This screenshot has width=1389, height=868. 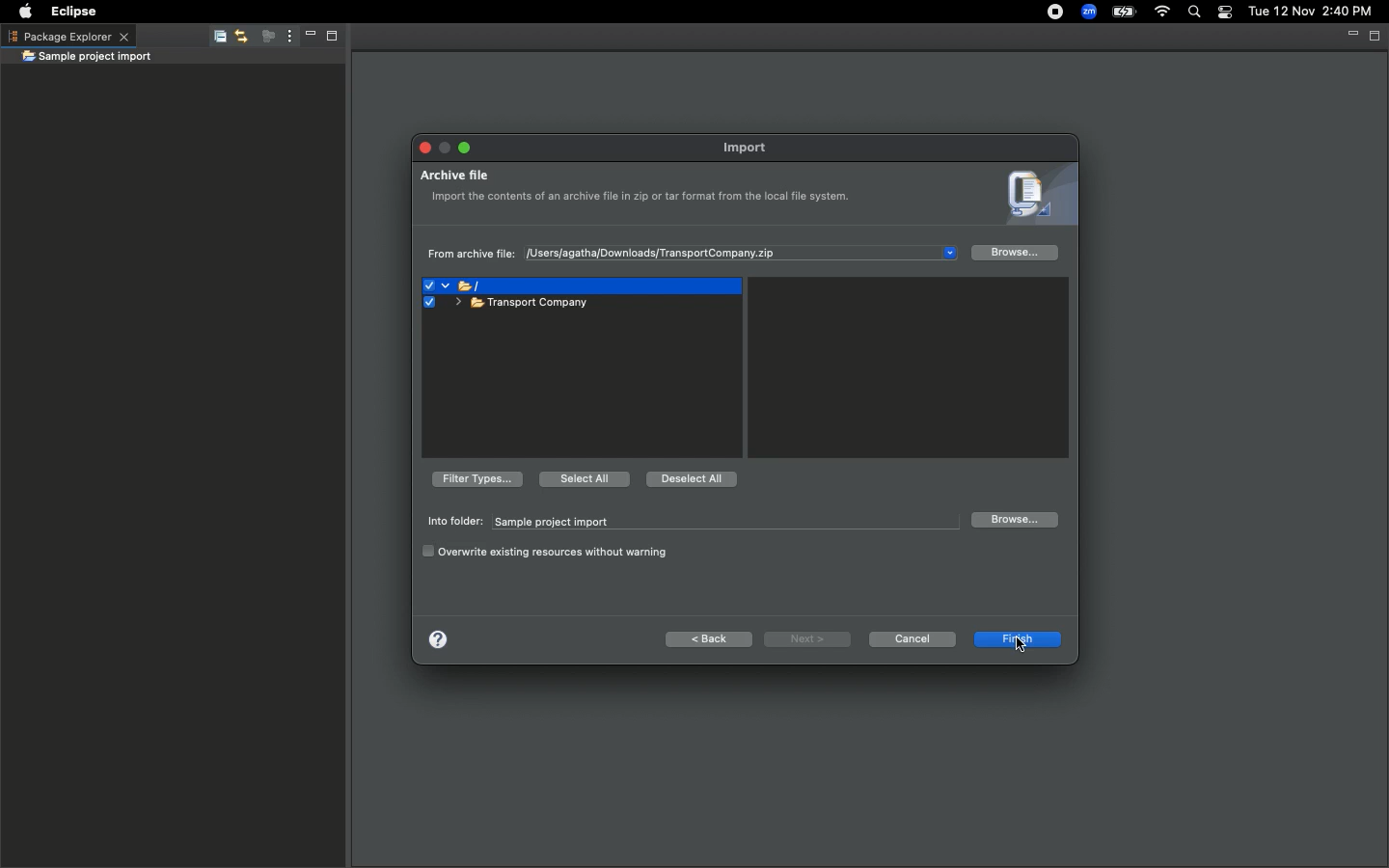 I want to click on Focus on active task, so click(x=262, y=38).